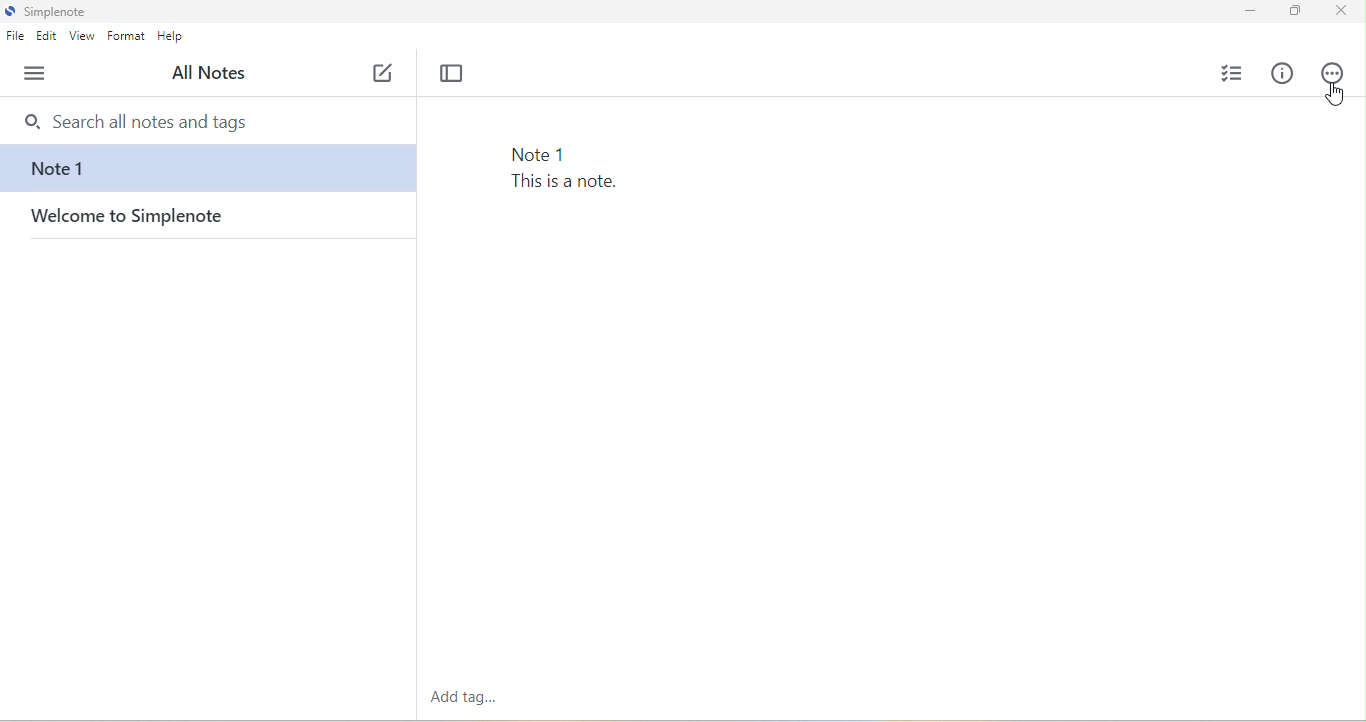 The image size is (1366, 722). What do you see at coordinates (207, 170) in the screenshot?
I see `note 1` at bounding box center [207, 170].